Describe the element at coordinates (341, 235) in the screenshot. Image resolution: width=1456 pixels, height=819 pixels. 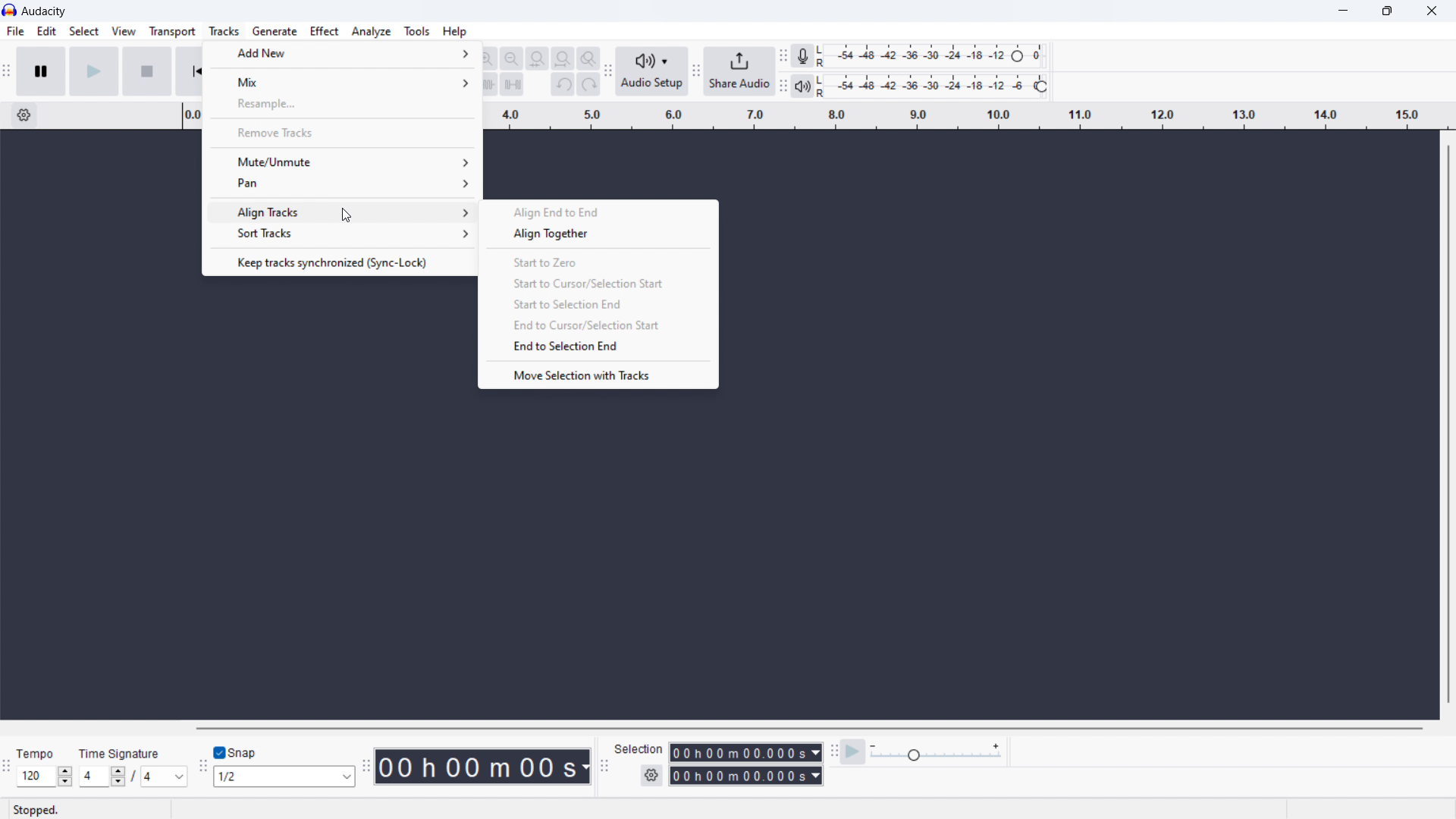
I see `sort tracks` at that location.